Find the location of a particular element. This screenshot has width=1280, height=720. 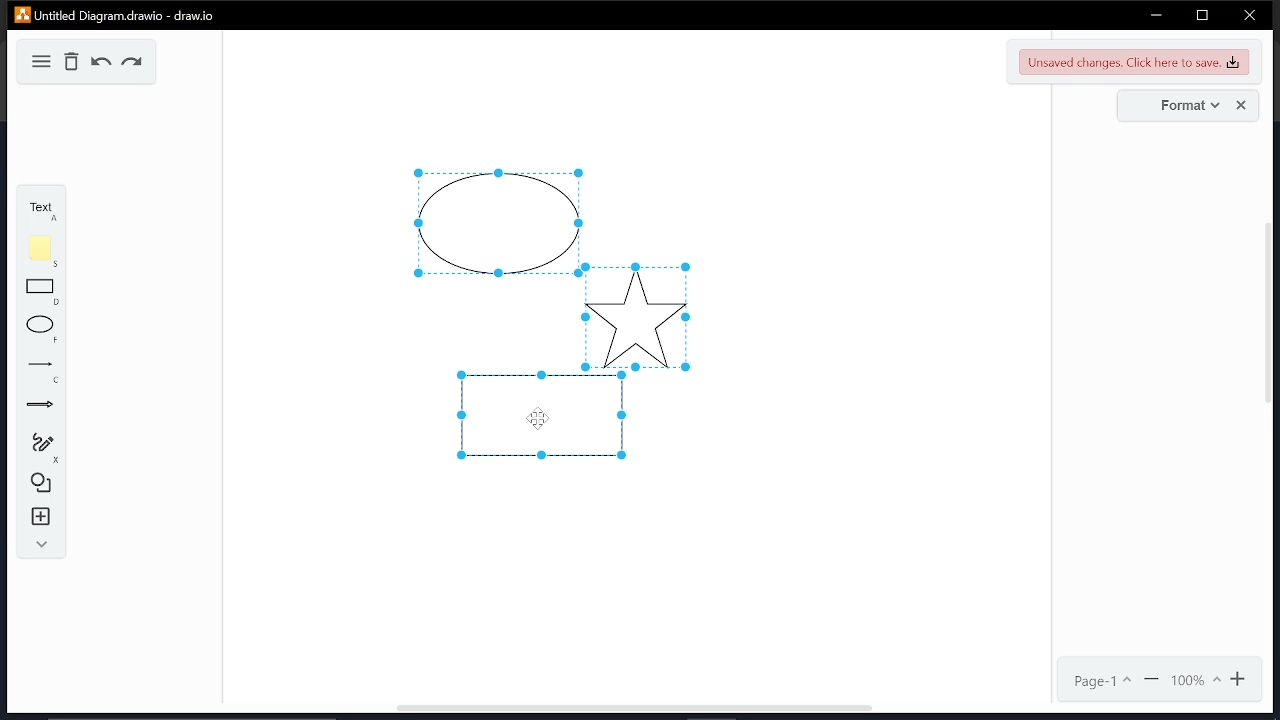

undo is located at coordinates (102, 63).